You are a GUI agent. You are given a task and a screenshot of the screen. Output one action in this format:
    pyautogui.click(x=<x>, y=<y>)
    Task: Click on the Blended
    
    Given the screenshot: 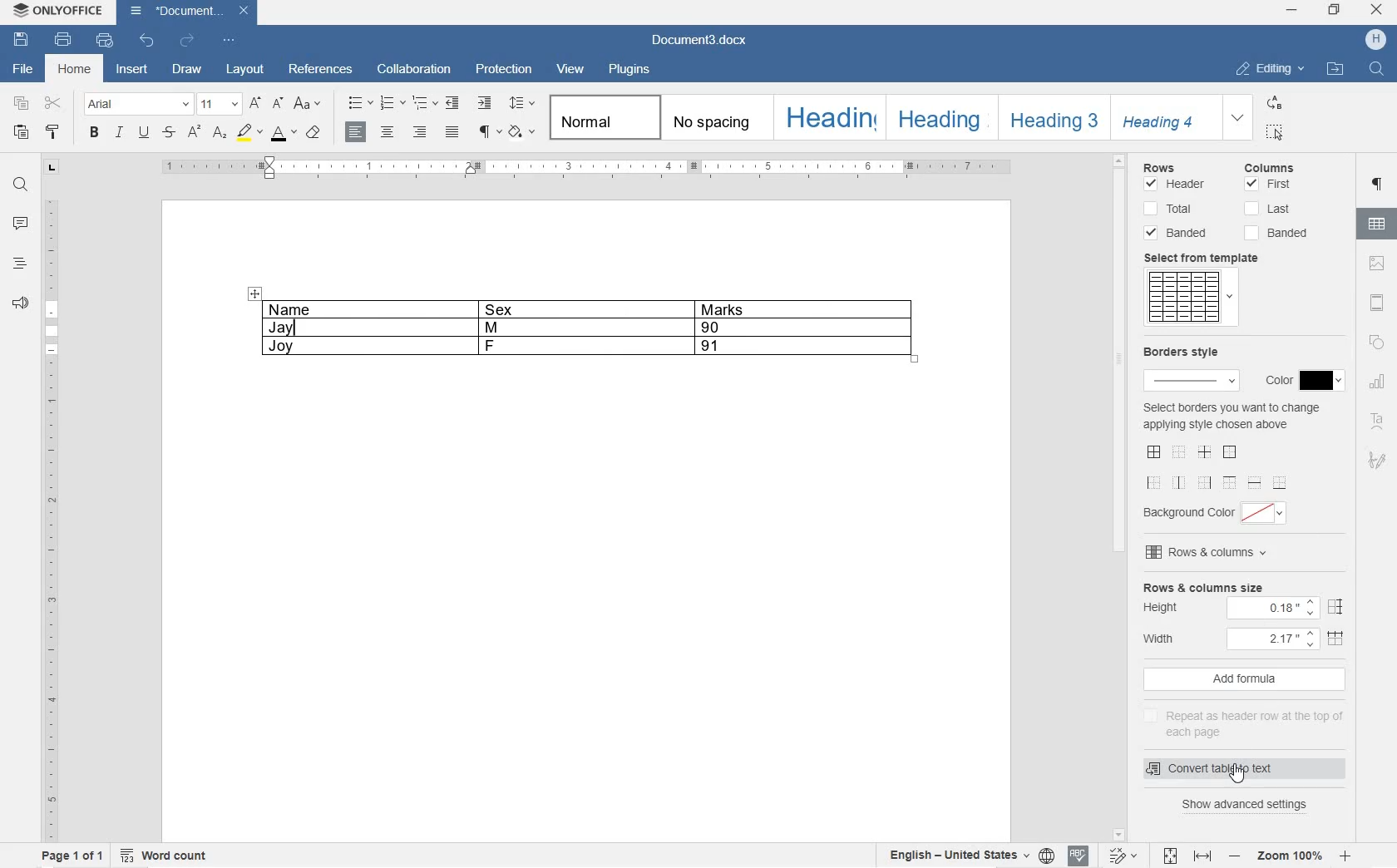 What is the action you would take?
    pyautogui.click(x=1181, y=233)
    